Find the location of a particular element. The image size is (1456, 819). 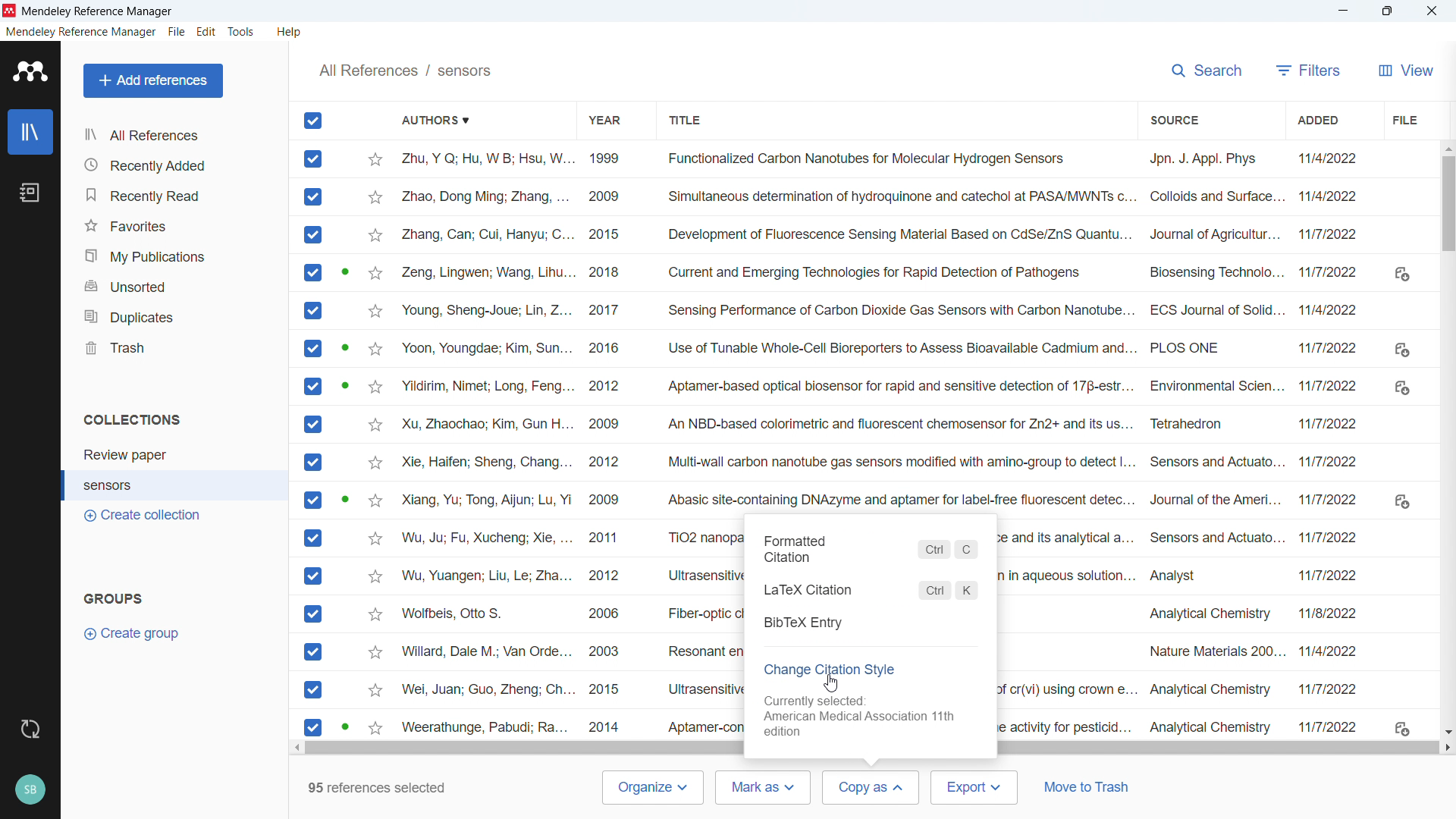

Title  is located at coordinates (99, 11).